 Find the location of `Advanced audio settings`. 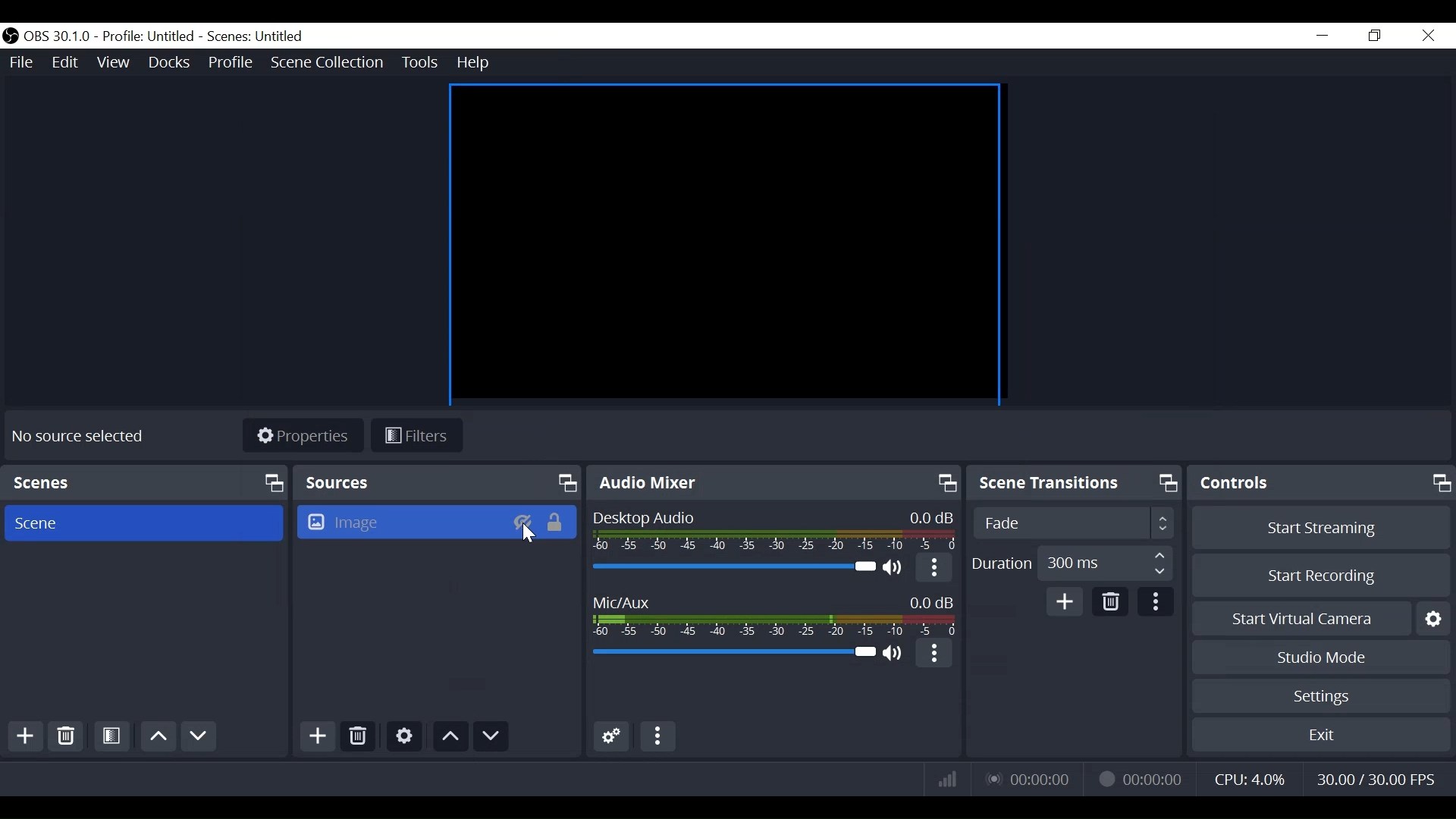

Advanced audio settings is located at coordinates (611, 736).